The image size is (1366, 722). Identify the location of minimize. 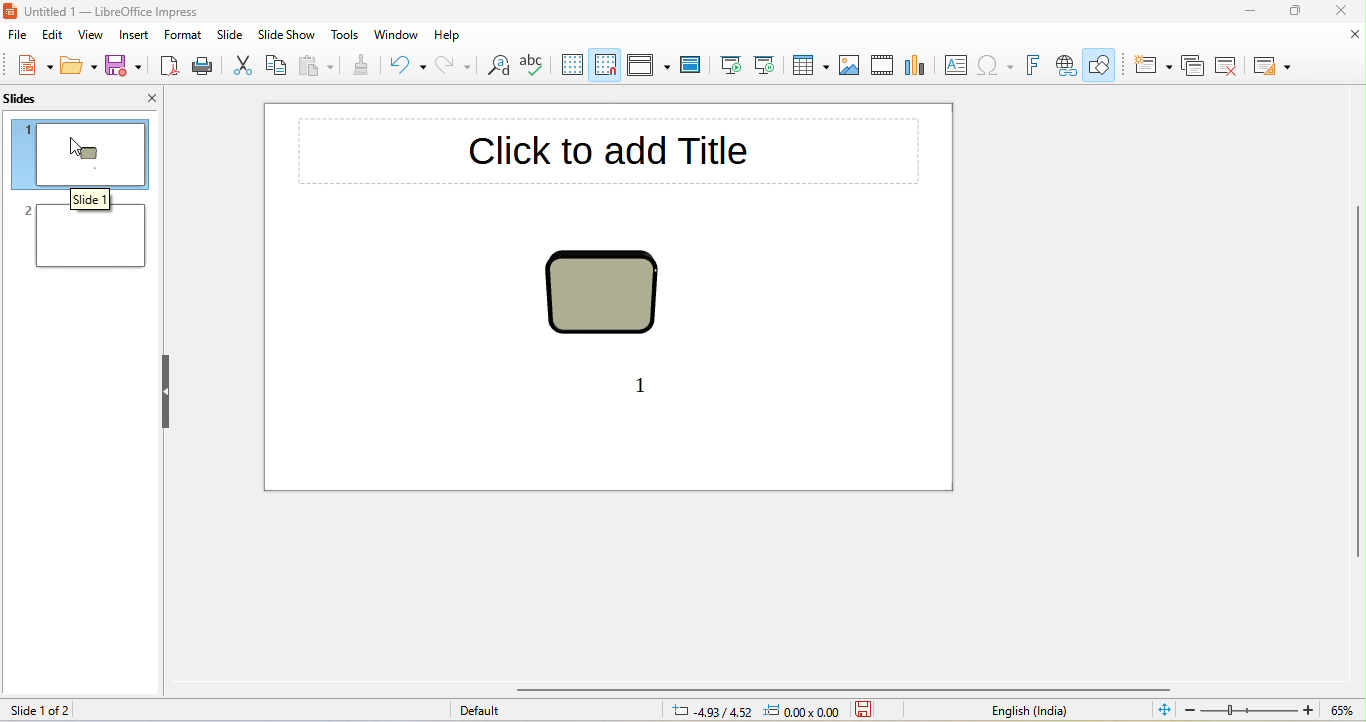
(1242, 10).